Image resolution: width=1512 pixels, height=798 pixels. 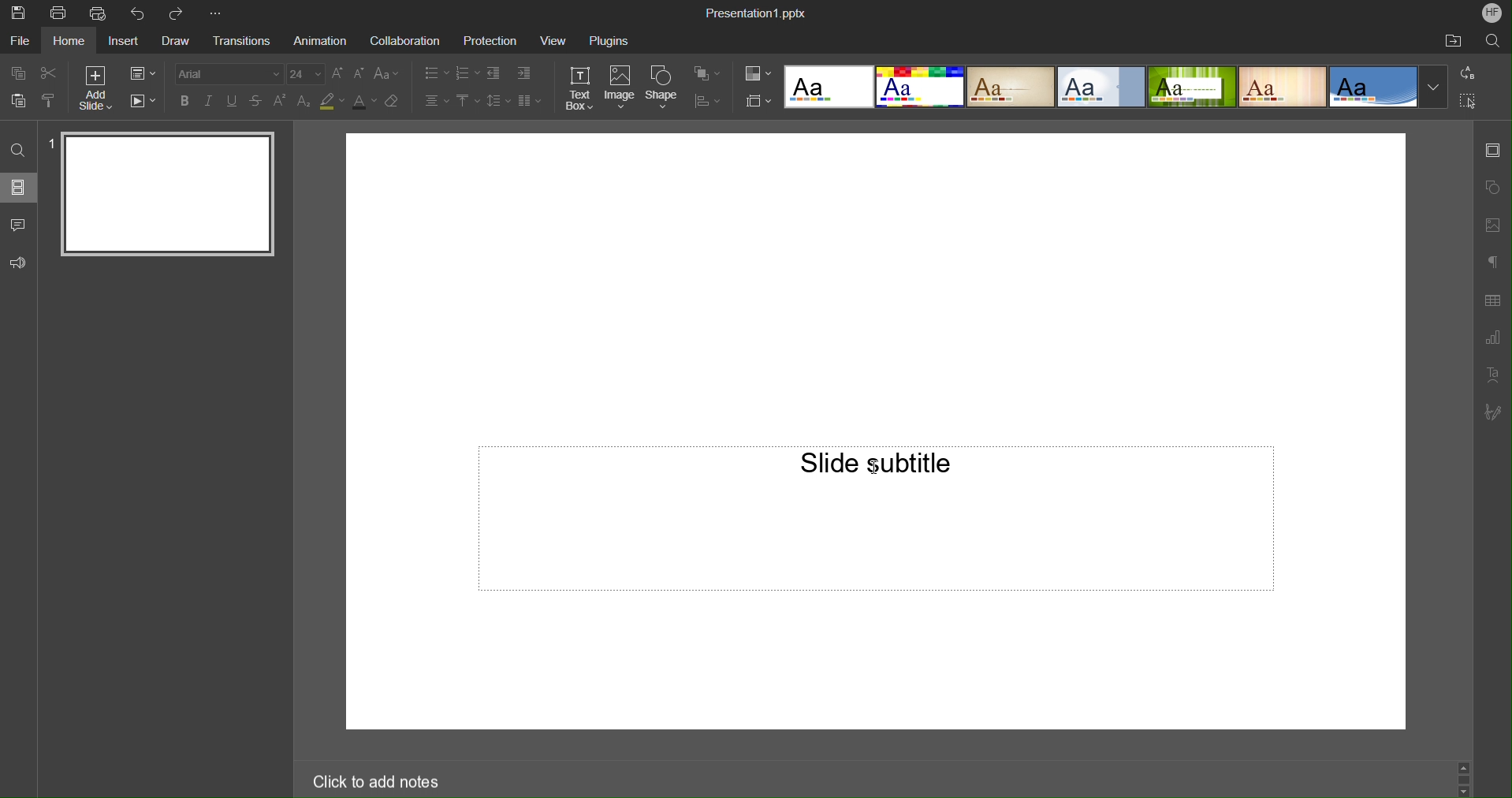 I want to click on Arrange, so click(x=708, y=72).